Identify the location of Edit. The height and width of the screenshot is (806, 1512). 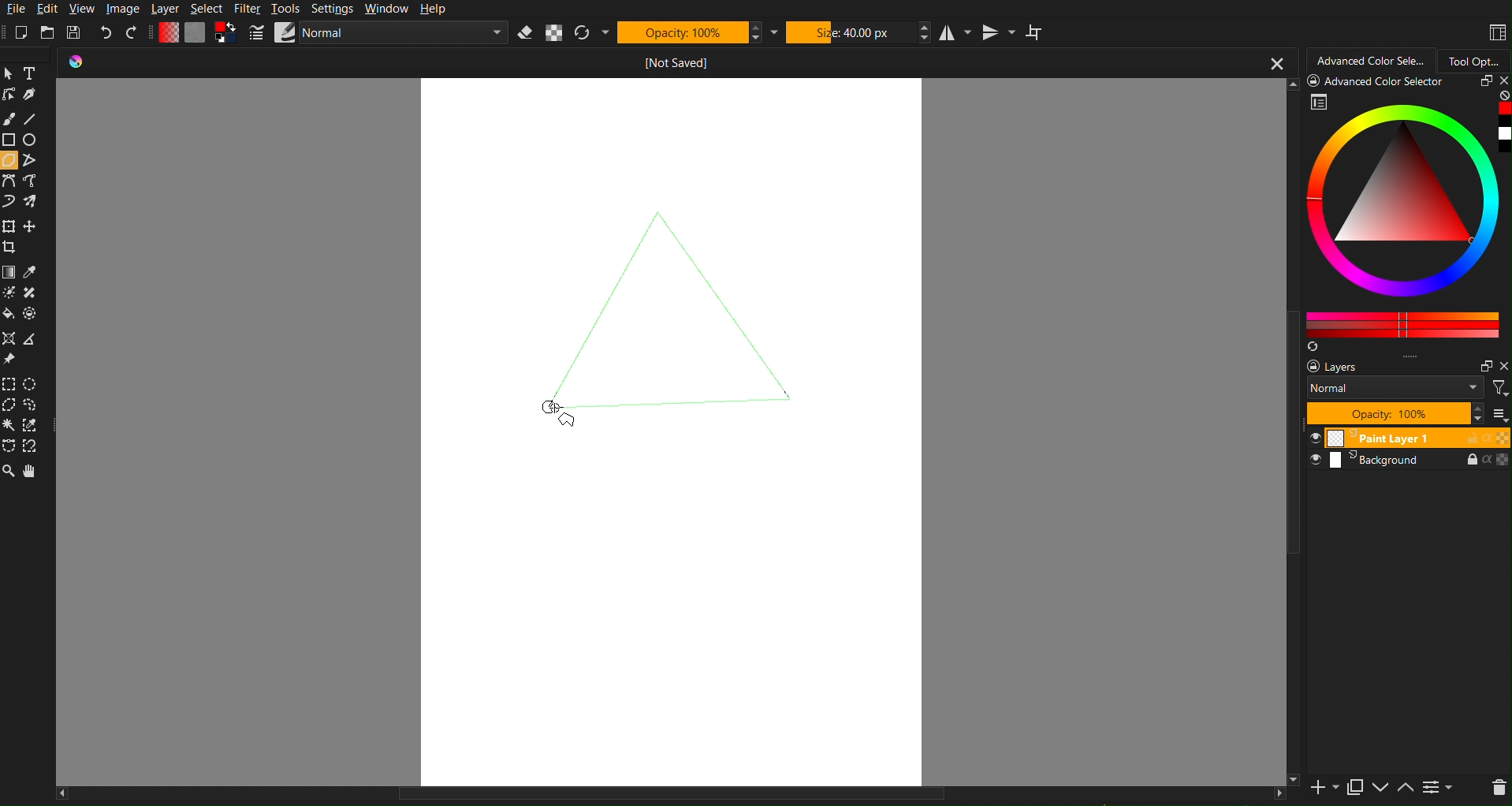
(50, 9).